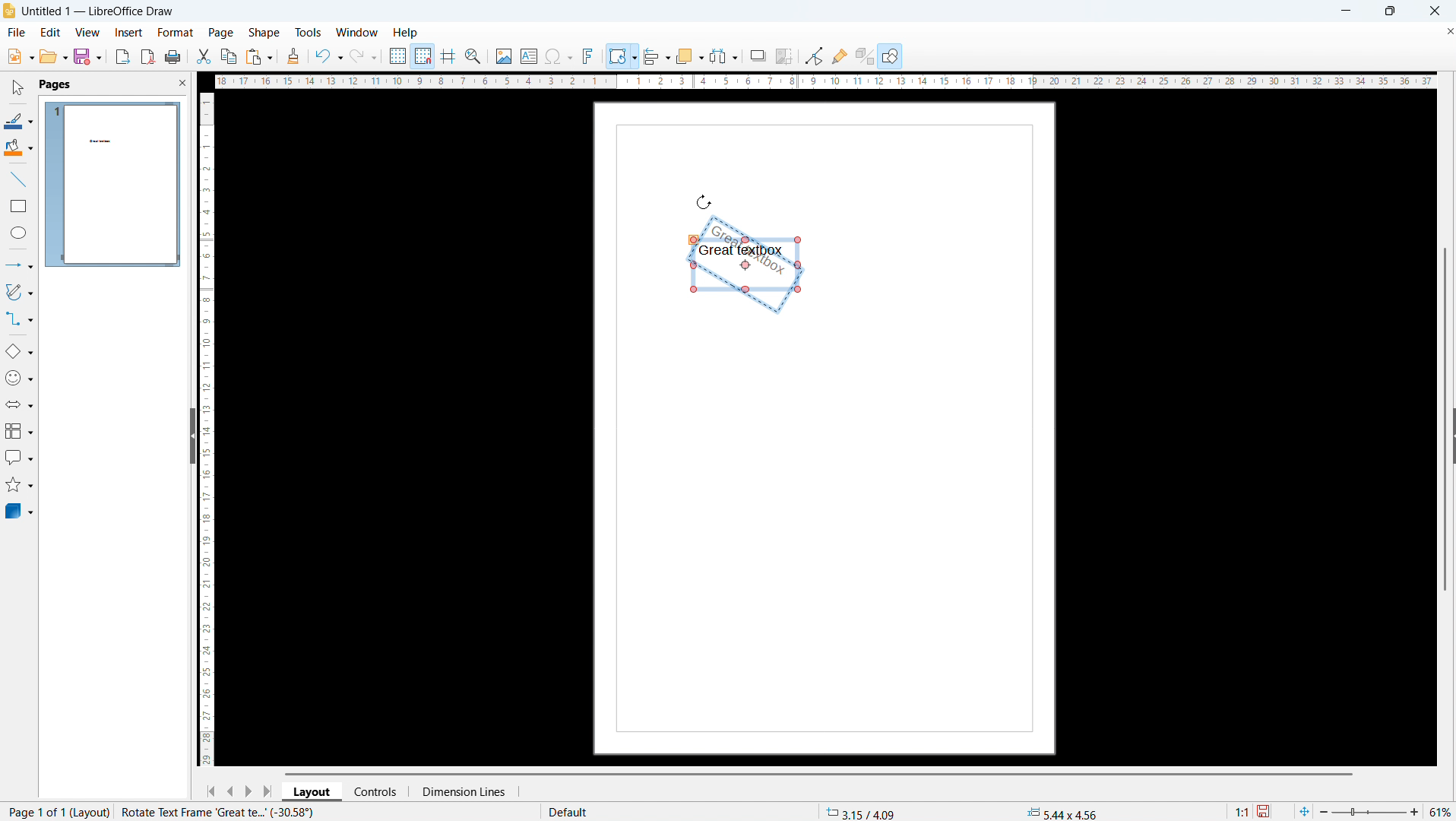  What do you see at coordinates (840, 55) in the screenshot?
I see `show gluepoint functions` at bounding box center [840, 55].